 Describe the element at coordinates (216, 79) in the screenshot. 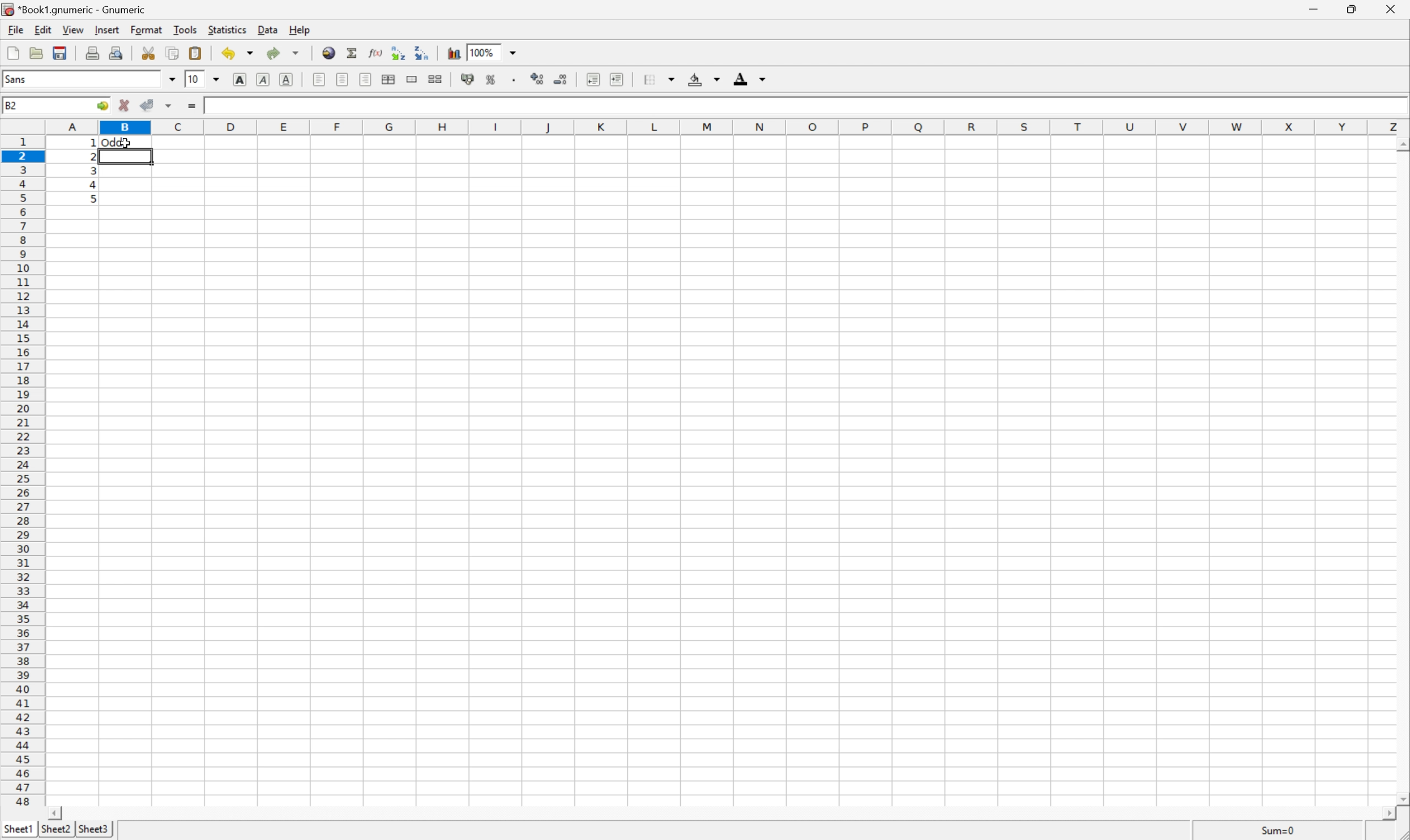

I see `Drop Down` at that location.